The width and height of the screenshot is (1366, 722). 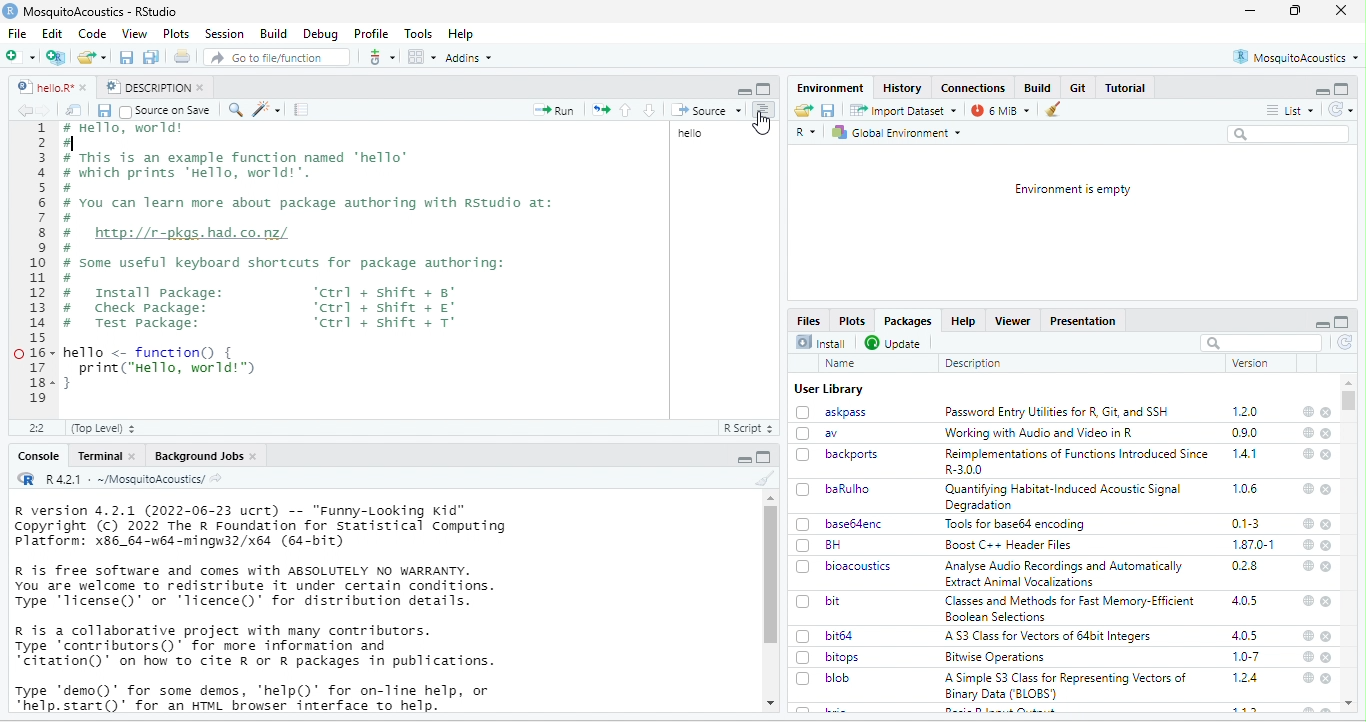 I want to click on av, so click(x=824, y=433).